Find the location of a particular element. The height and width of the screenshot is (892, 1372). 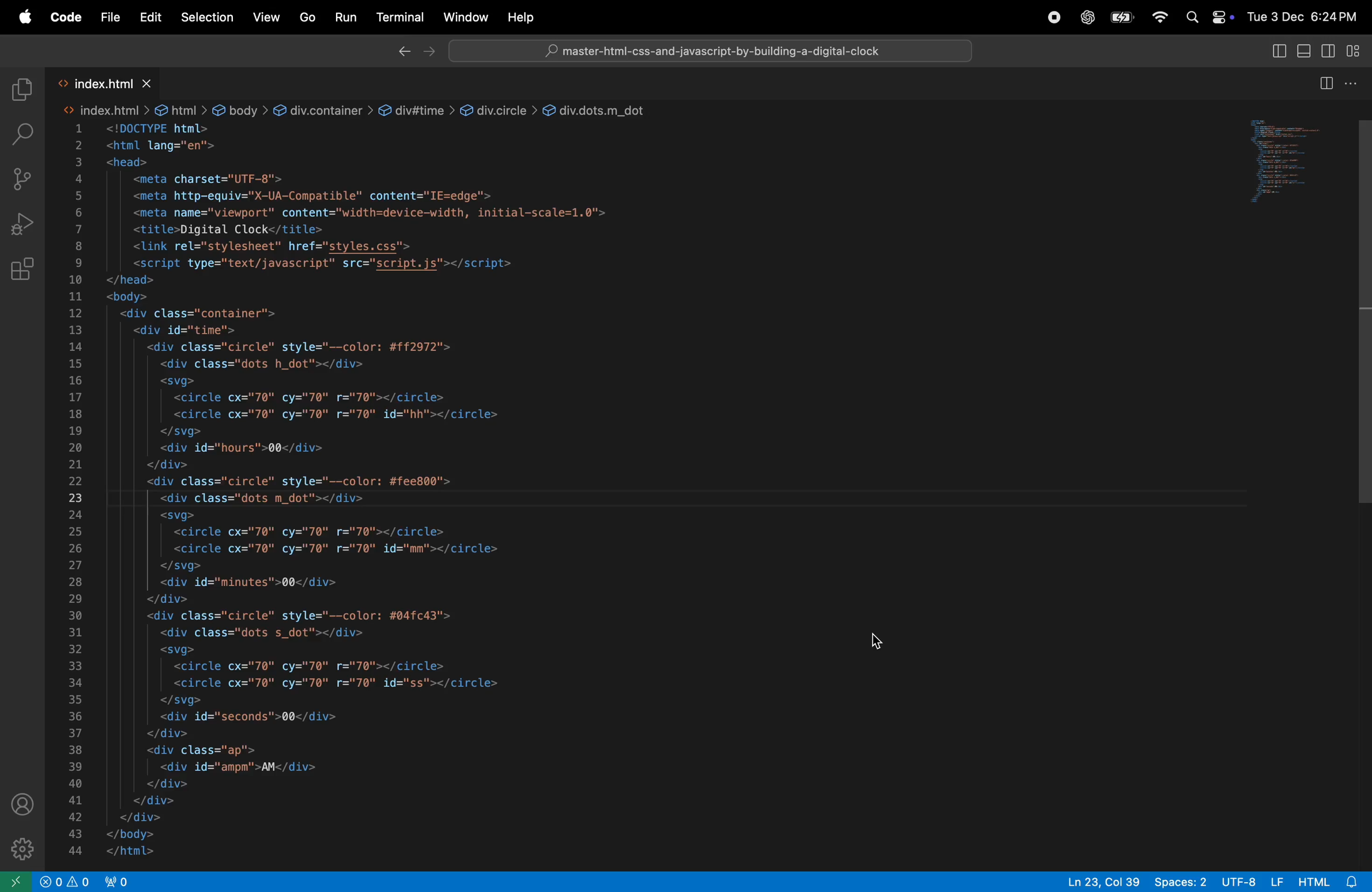

date and time is located at coordinates (1303, 14).